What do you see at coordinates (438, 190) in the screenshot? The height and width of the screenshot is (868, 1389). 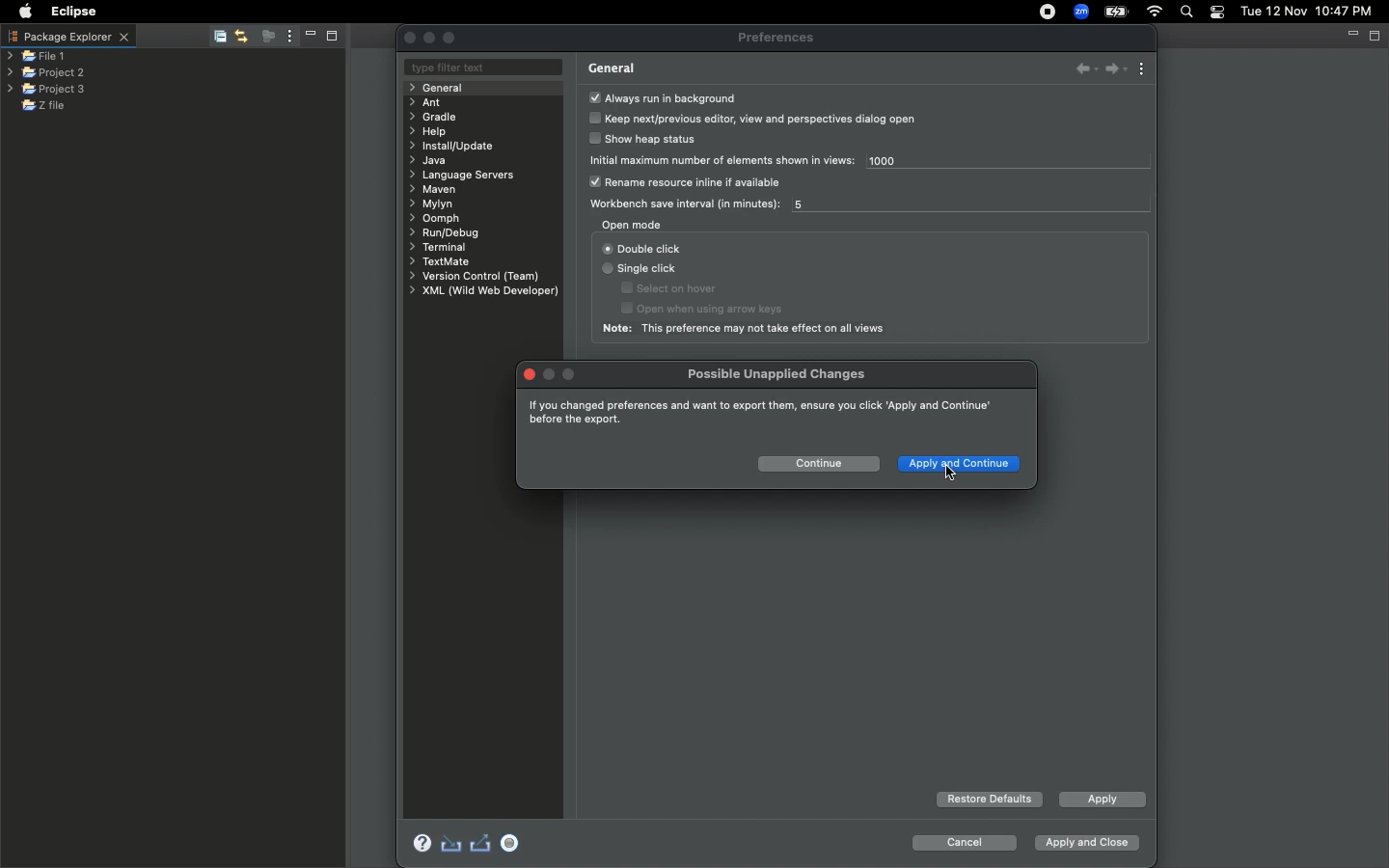 I see `Maven` at bounding box center [438, 190].